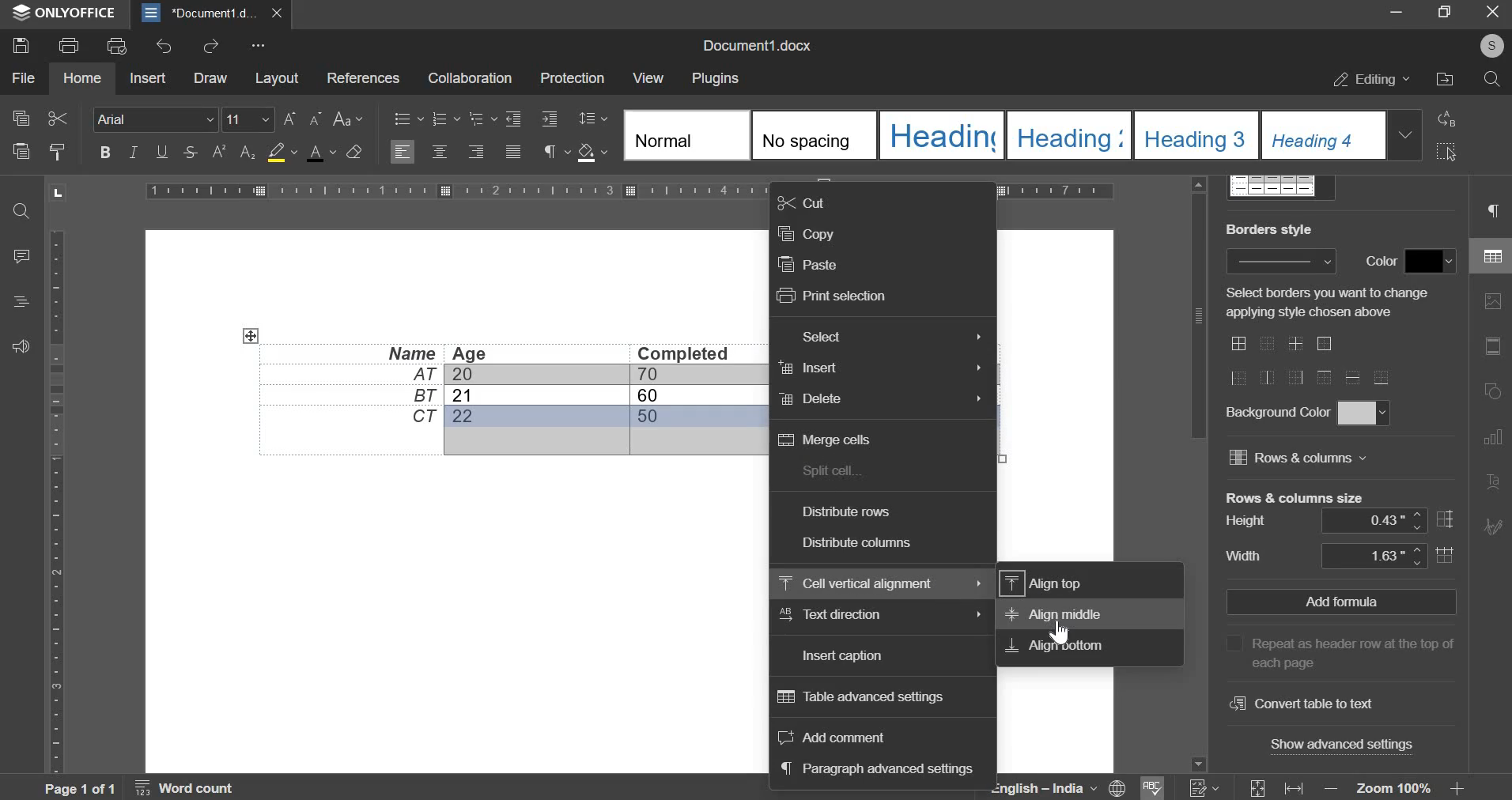 Image resolution: width=1512 pixels, height=800 pixels. I want to click on plugins, so click(713, 79).